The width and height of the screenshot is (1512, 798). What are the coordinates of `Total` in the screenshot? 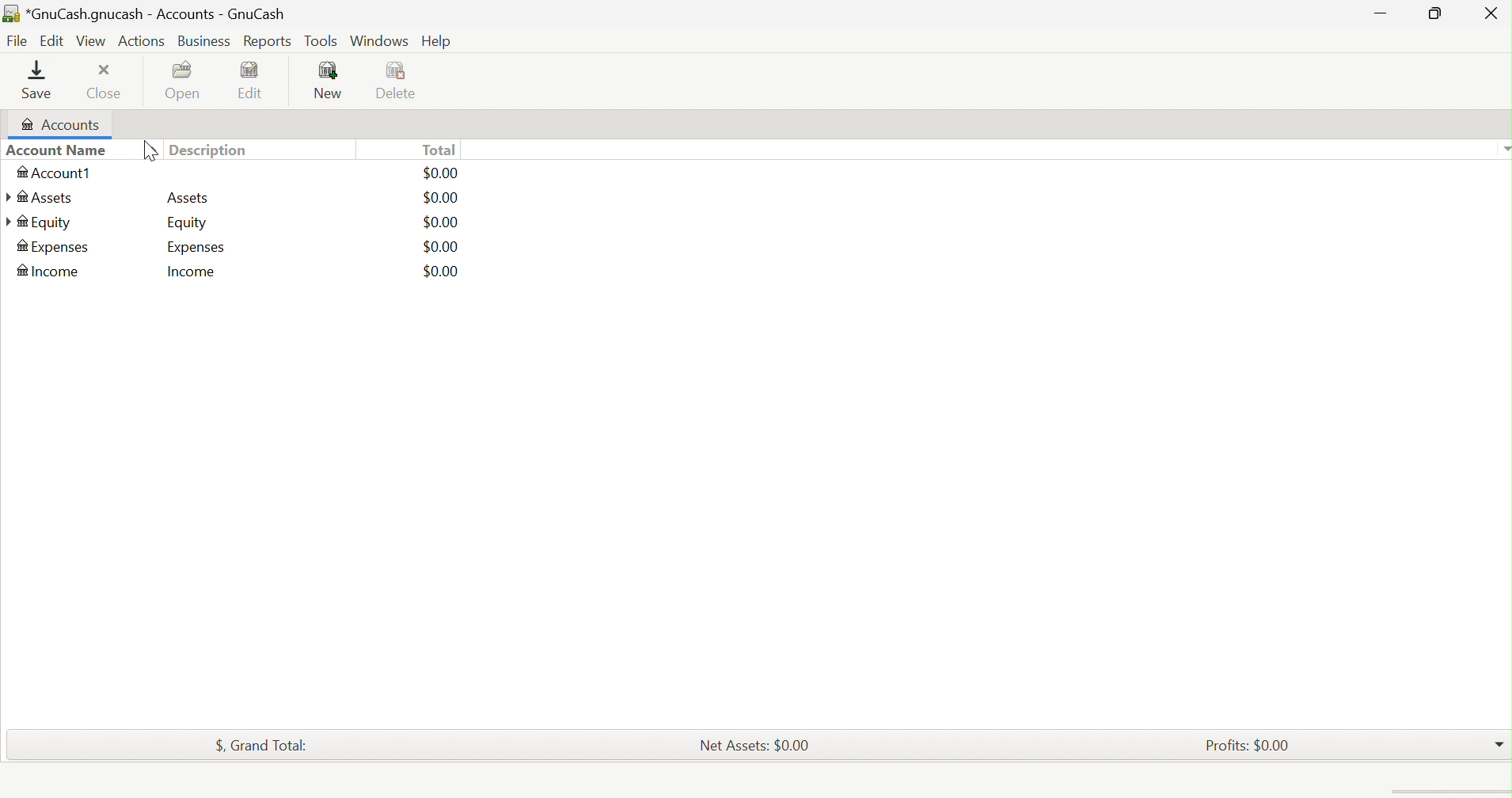 It's located at (439, 150).